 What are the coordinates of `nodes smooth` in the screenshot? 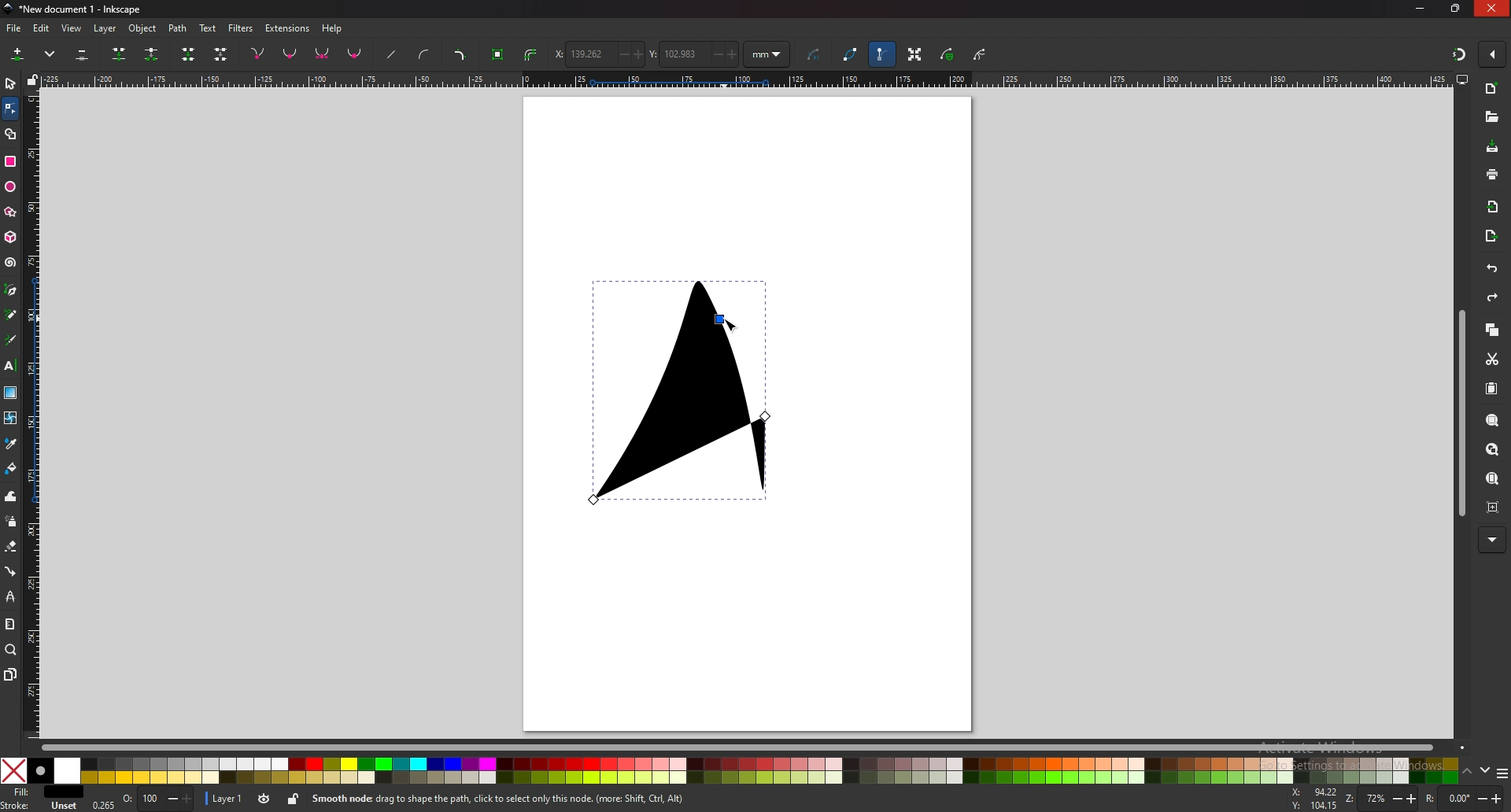 It's located at (290, 53).